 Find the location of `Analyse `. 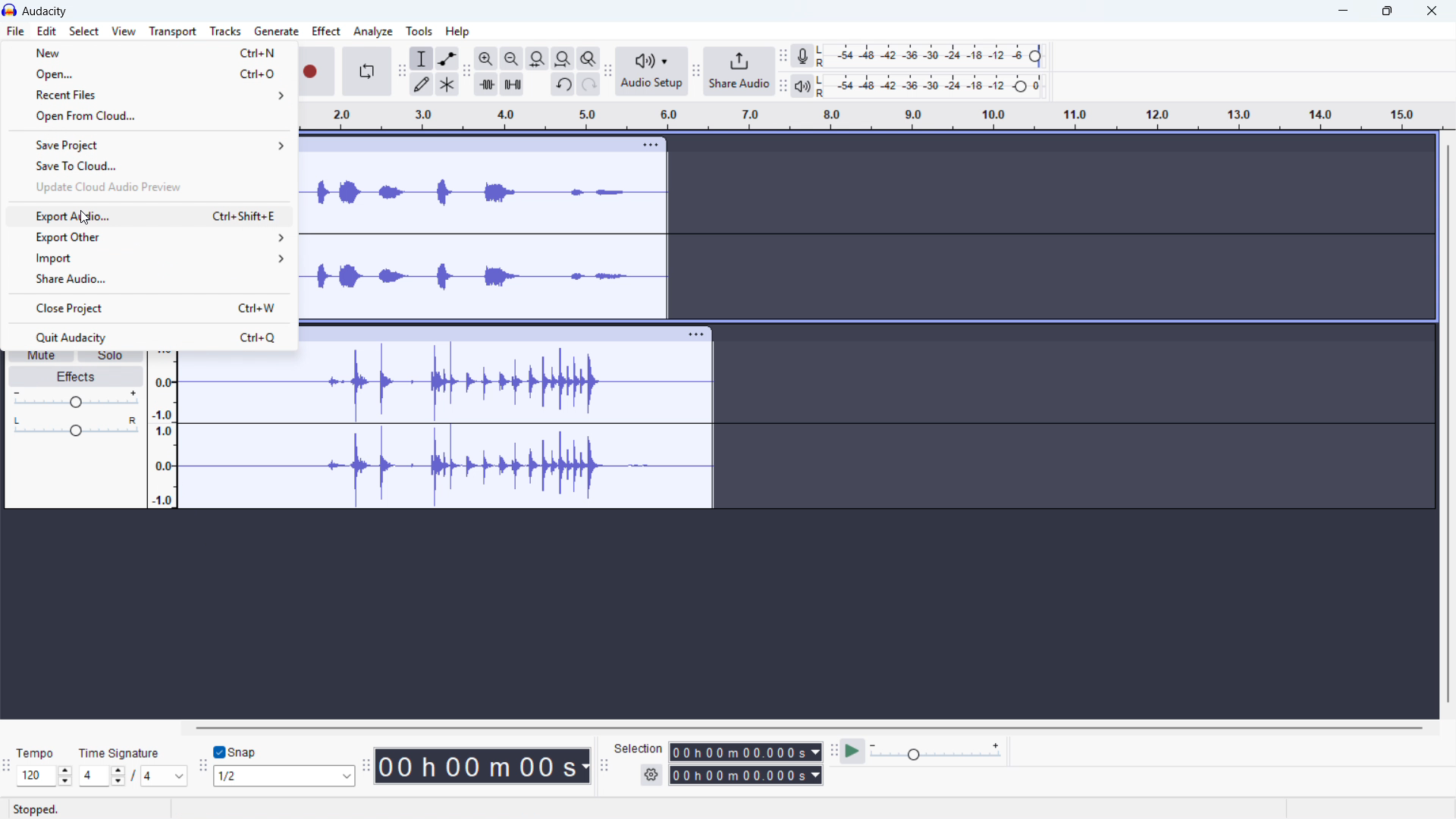

Analyse  is located at coordinates (372, 33).